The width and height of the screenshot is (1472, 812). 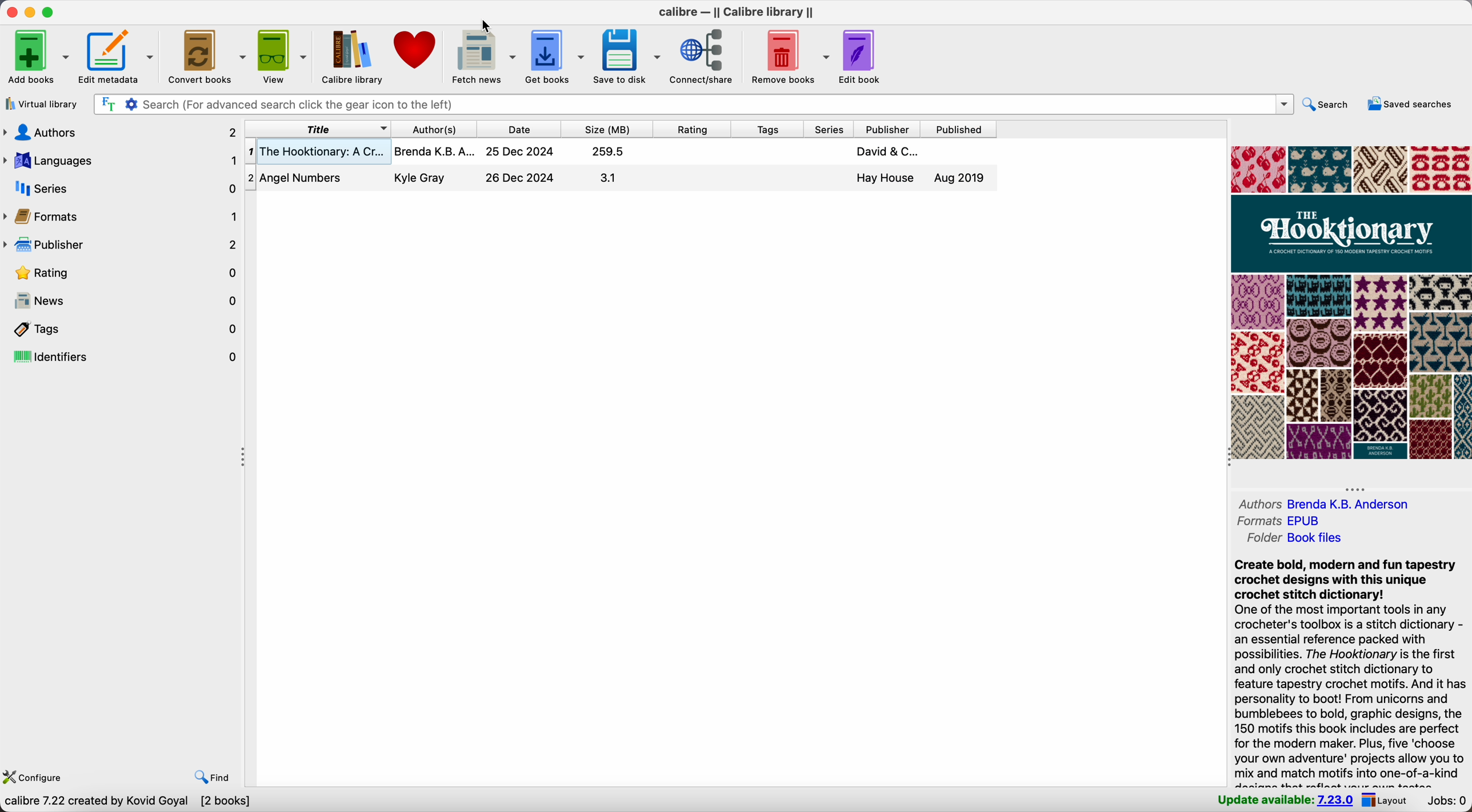 What do you see at coordinates (861, 56) in the screenshot?
I see `edit book` at bounding box center [861, 56].